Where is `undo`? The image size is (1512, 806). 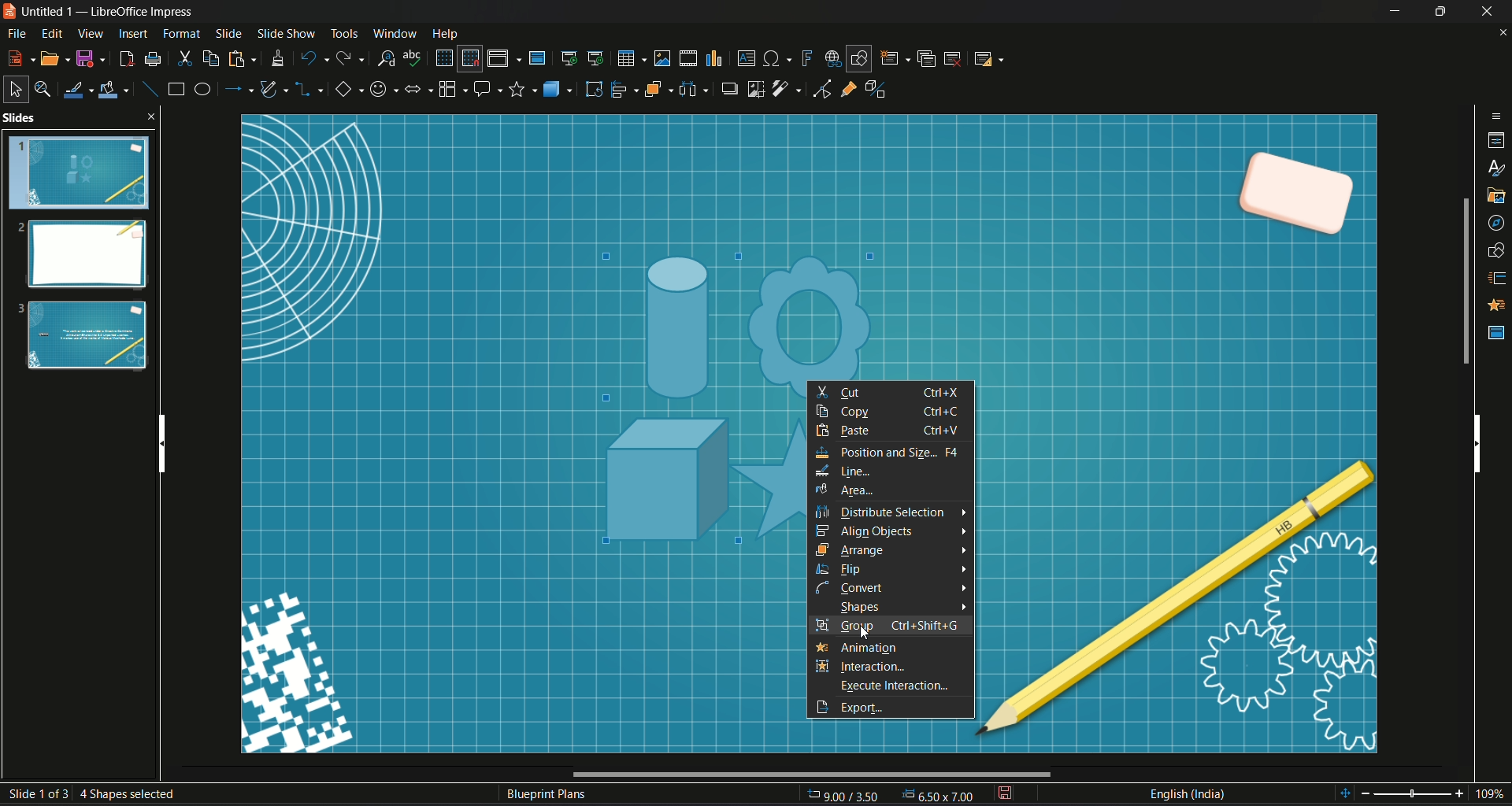 undo is located at coordinates (313, 57).